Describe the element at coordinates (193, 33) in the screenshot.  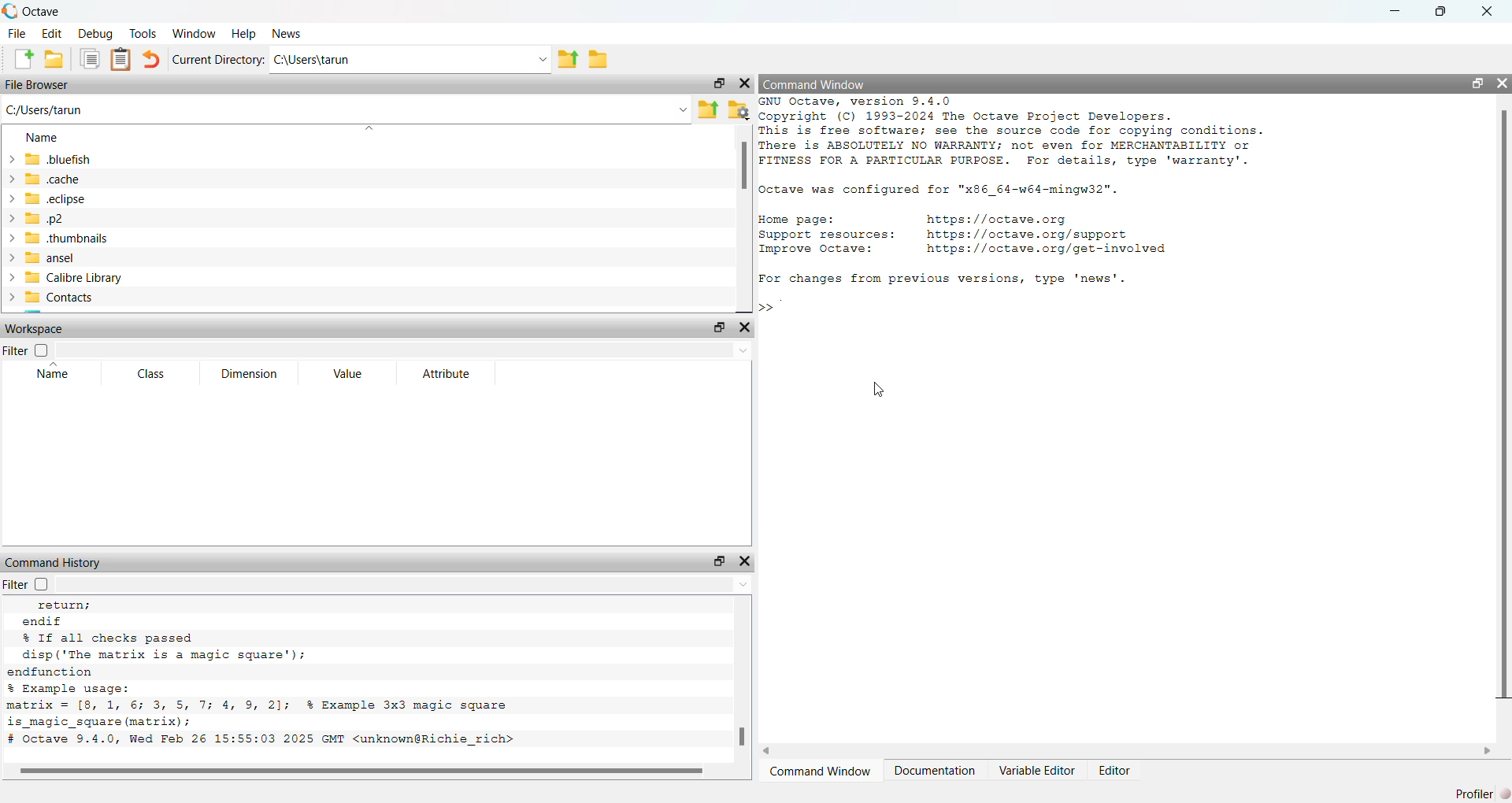
I see `Window` at that location.